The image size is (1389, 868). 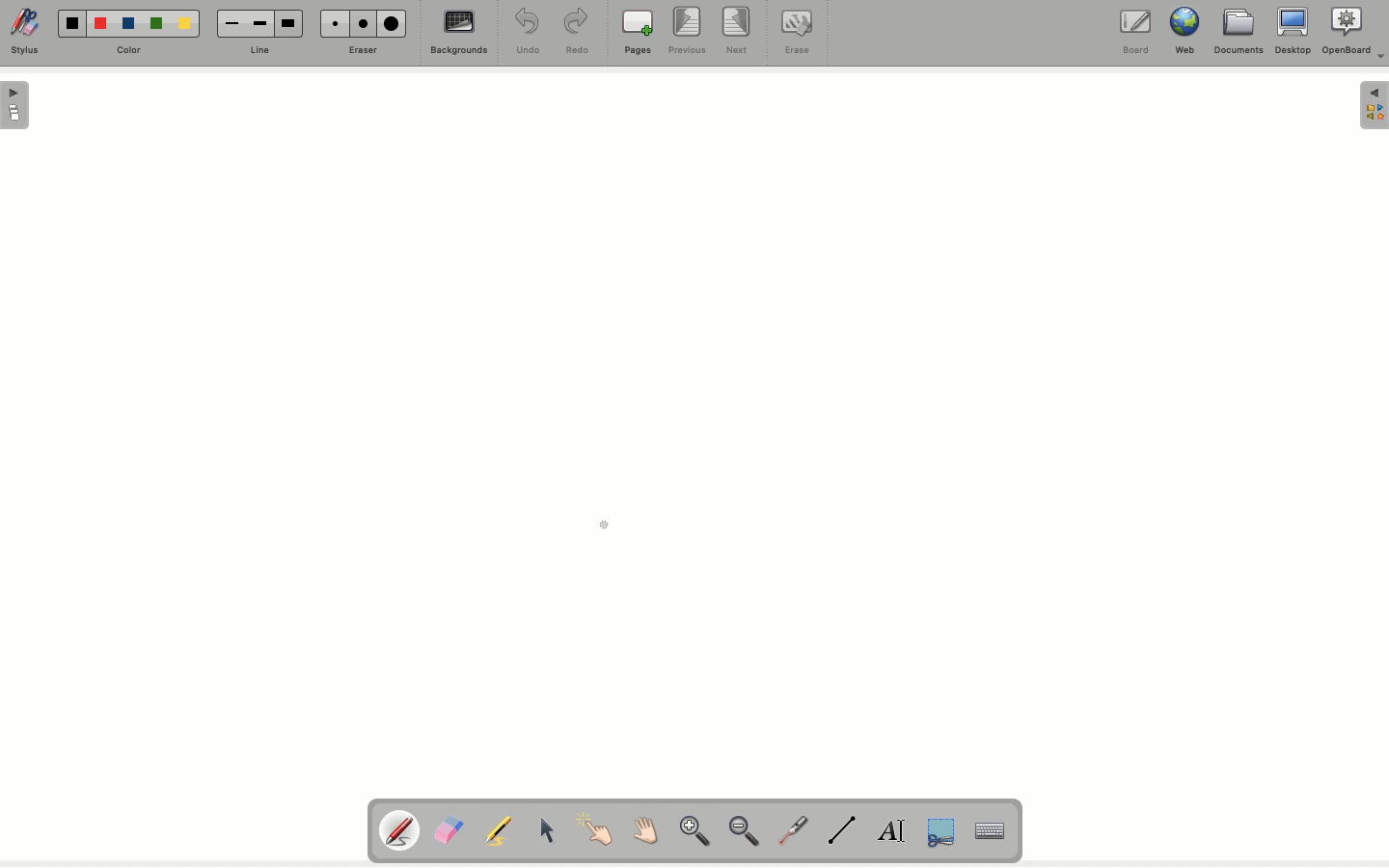 What do you see at coordinates (795, 830) in the screenshot?
I see `Laser` at bounding box center [795, 830].